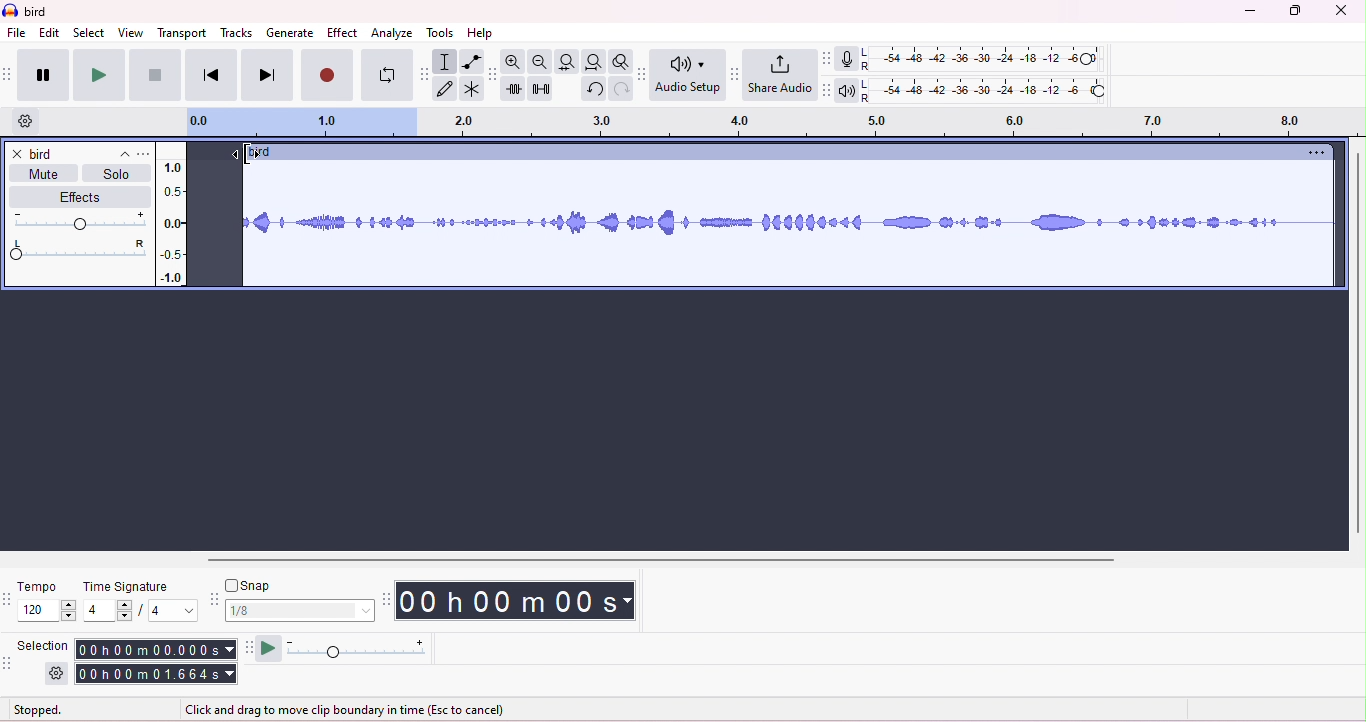 This screenshot has width=1366, height=722. I want to click on options, so click(1312, 153).